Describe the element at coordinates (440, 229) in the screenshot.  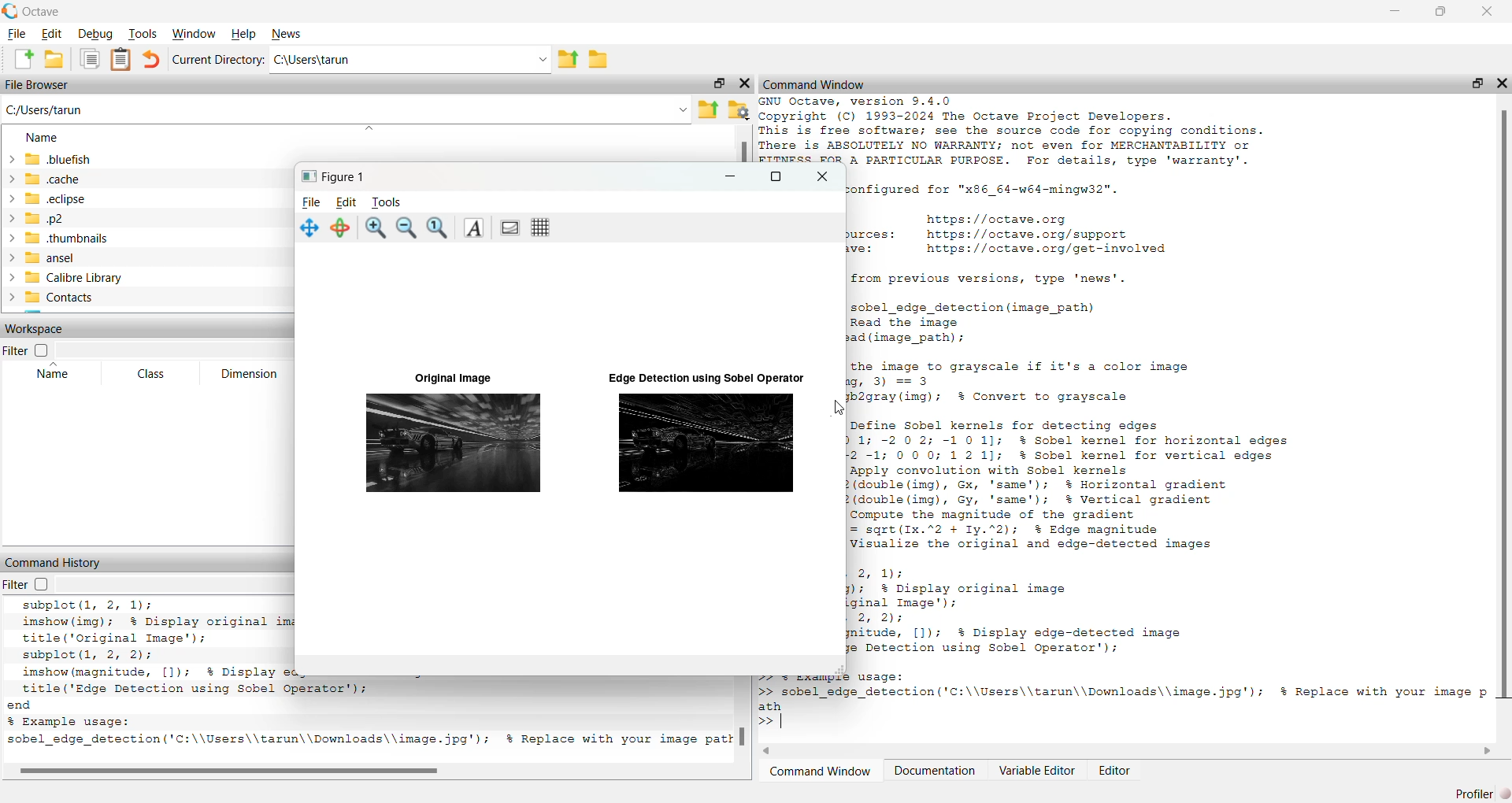
I see `Automatic limits for current axes` at that location.